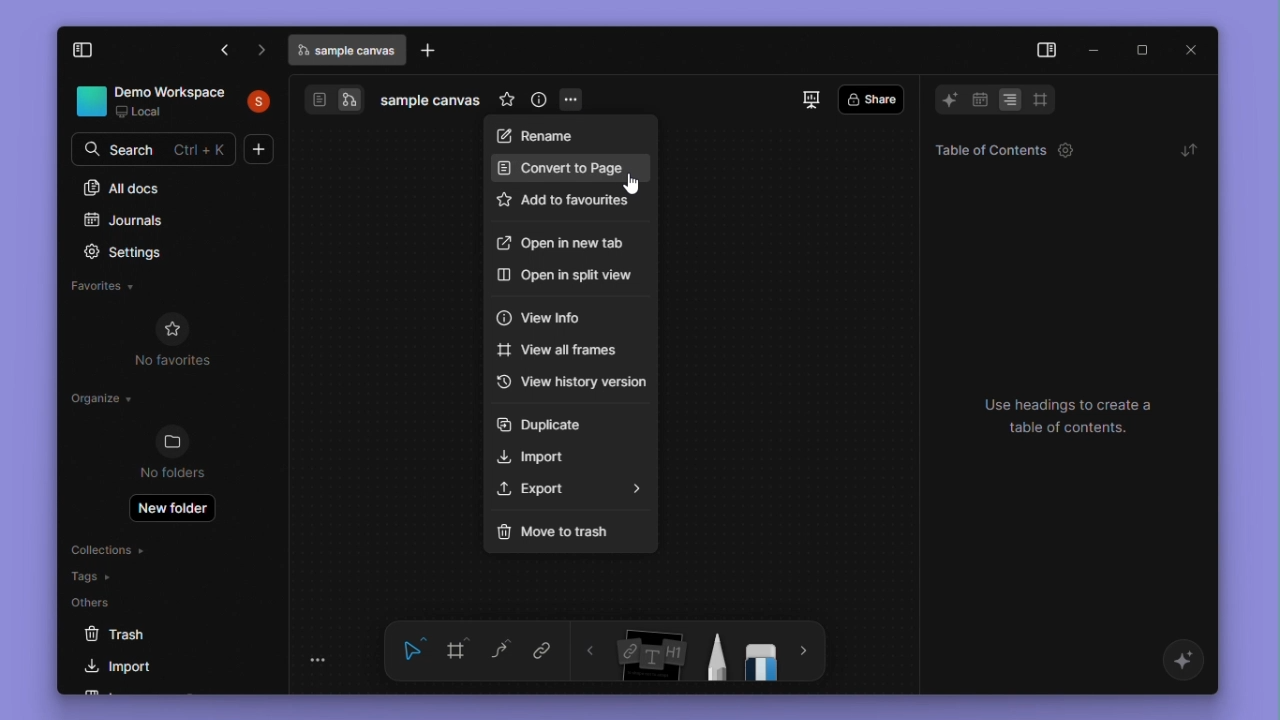  What do you see at coordinates (175, 102) in the screenshot?
I see `Place name and details` at bounding box center [175, 102].